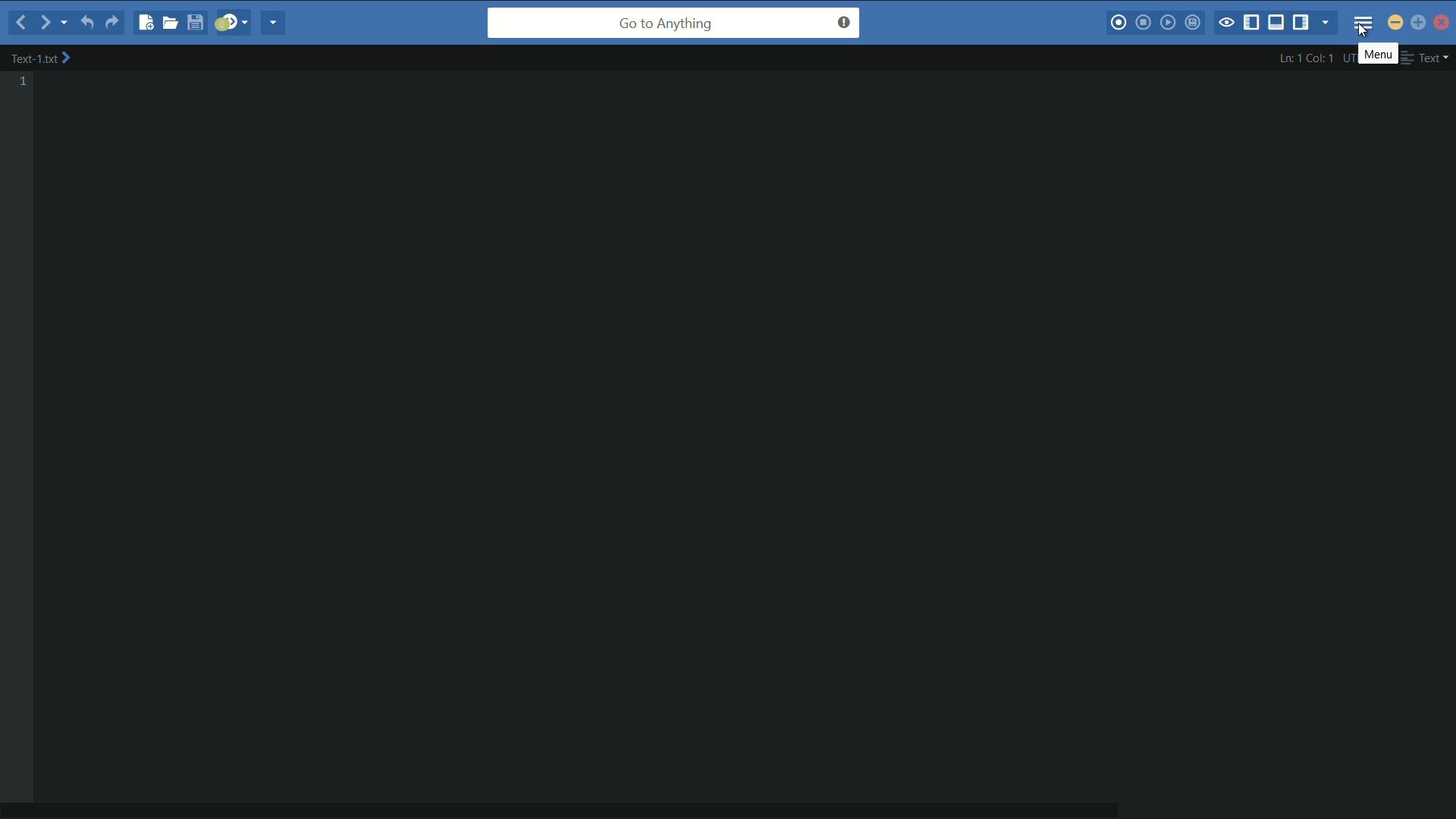 The image size is (1456, 819). Describe the element at coordinates (1277, 22) in the screenshot. I see `show/hide bottom pane` at that location.